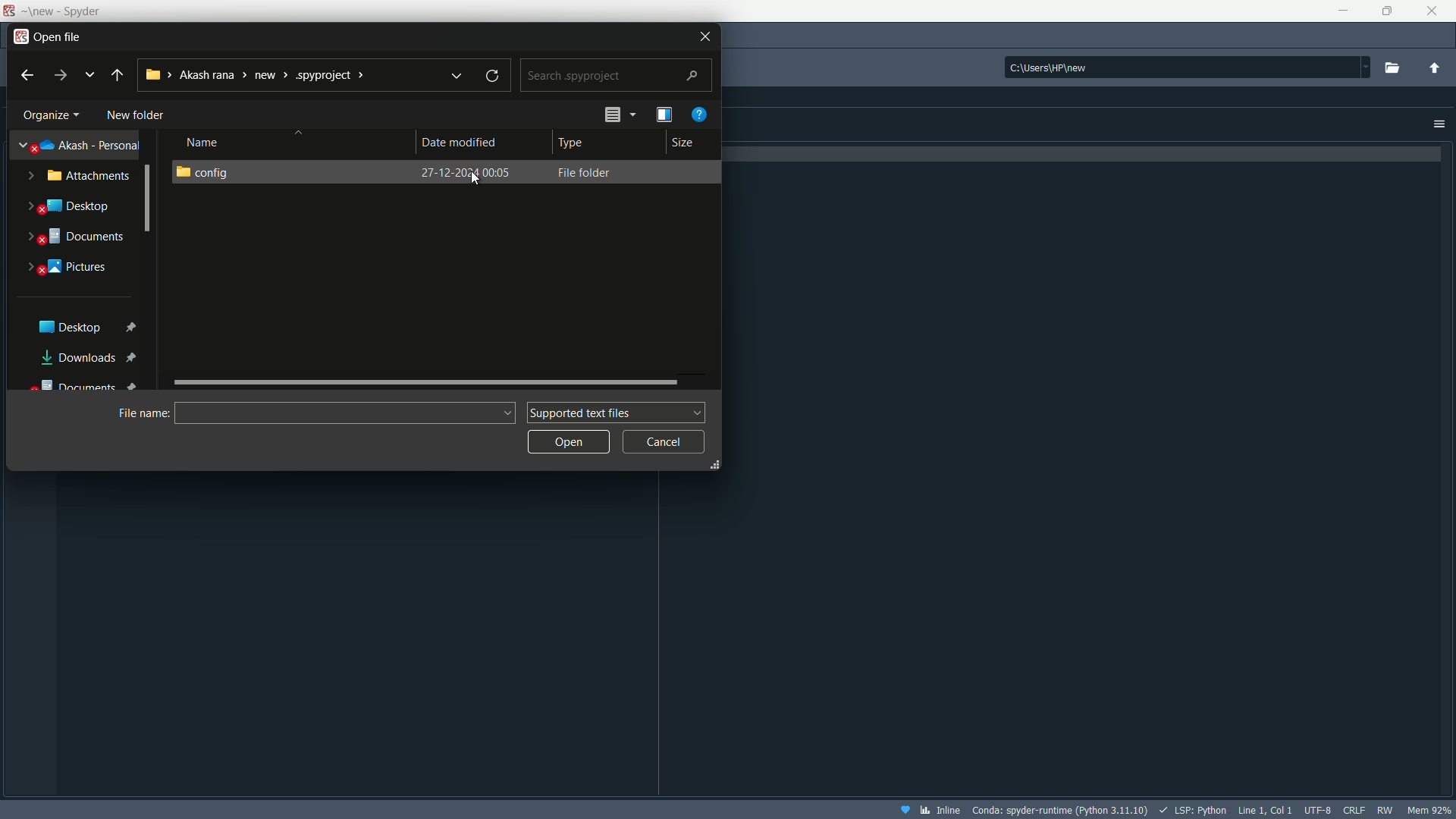 The width and height of the screenshot is (1456, 819). Describe the element at coordinates (1354, 810) in the screenshot. I see `file eol status` at that location.